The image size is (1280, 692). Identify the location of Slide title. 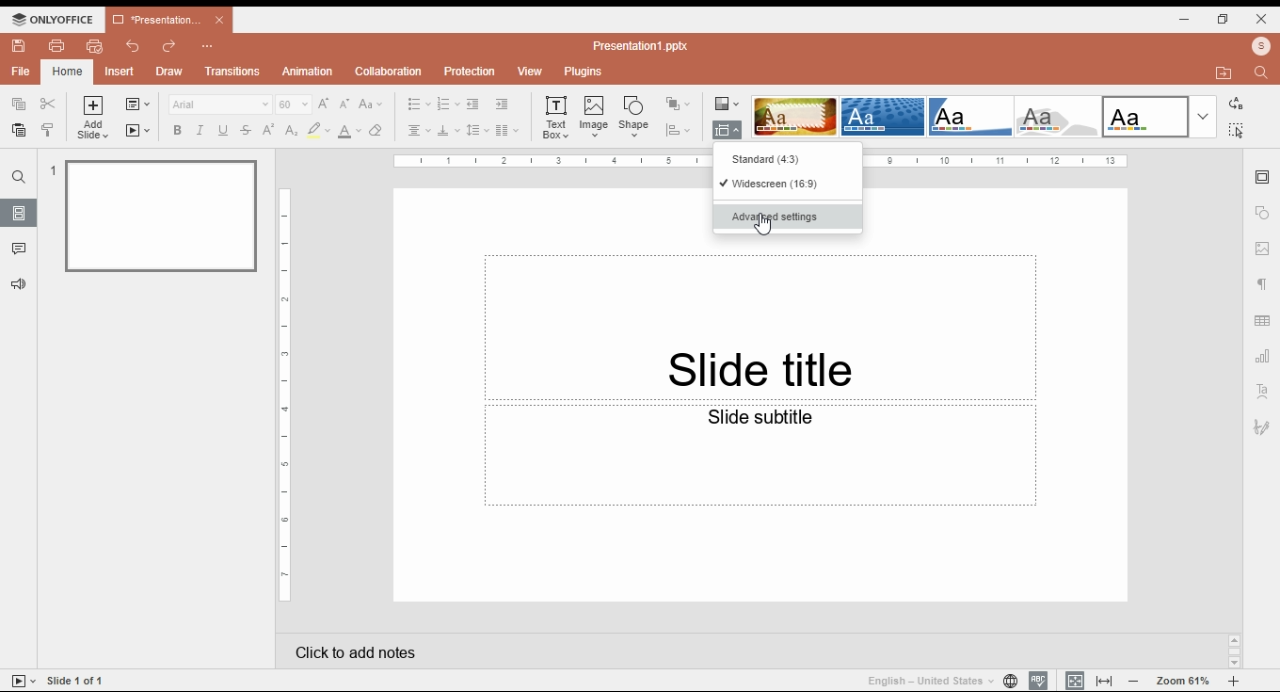
(760, 328).